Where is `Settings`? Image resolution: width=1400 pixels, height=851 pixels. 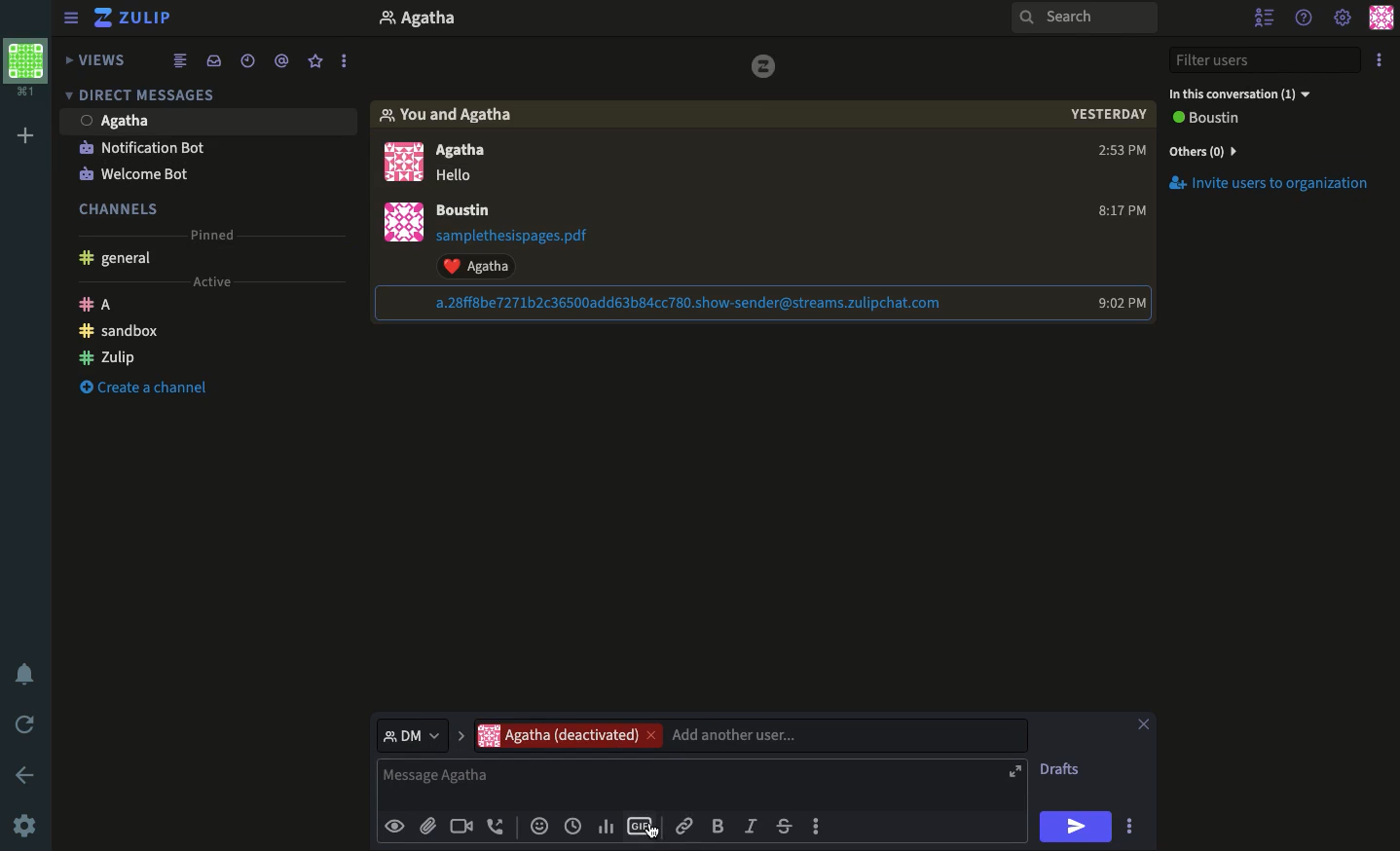
Settings is located at coordinates (1344, 19).